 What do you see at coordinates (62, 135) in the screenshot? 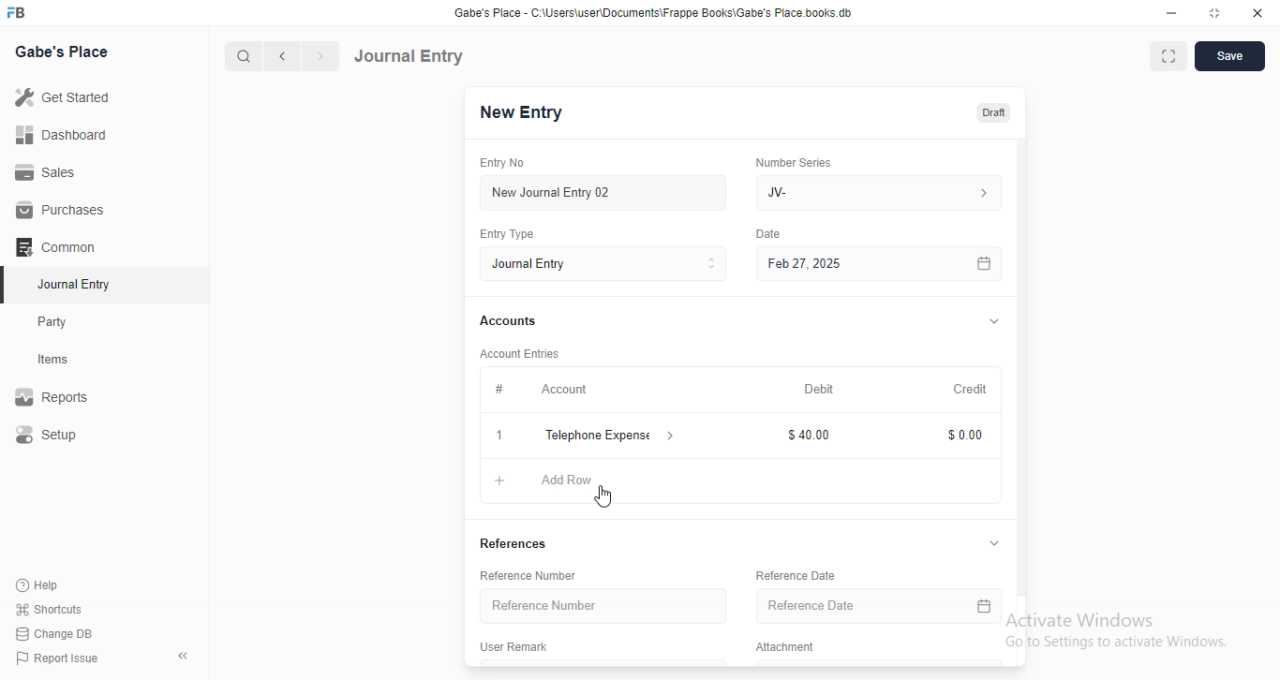
I see `Dashboard` at bounding box center [62, 135].